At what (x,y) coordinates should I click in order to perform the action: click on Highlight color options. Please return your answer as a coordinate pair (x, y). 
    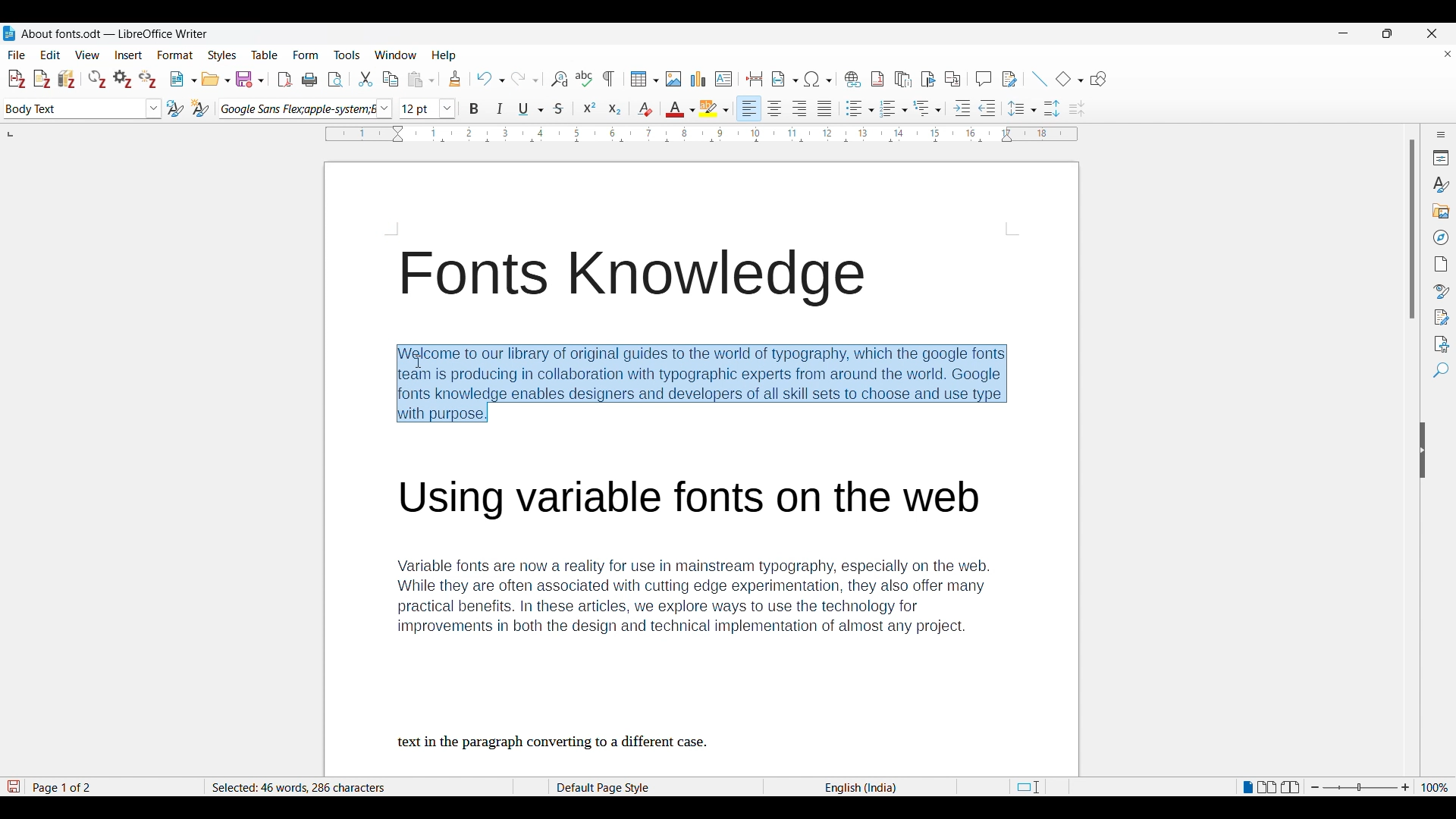
    Looking at the image, I should click on (714, 108).